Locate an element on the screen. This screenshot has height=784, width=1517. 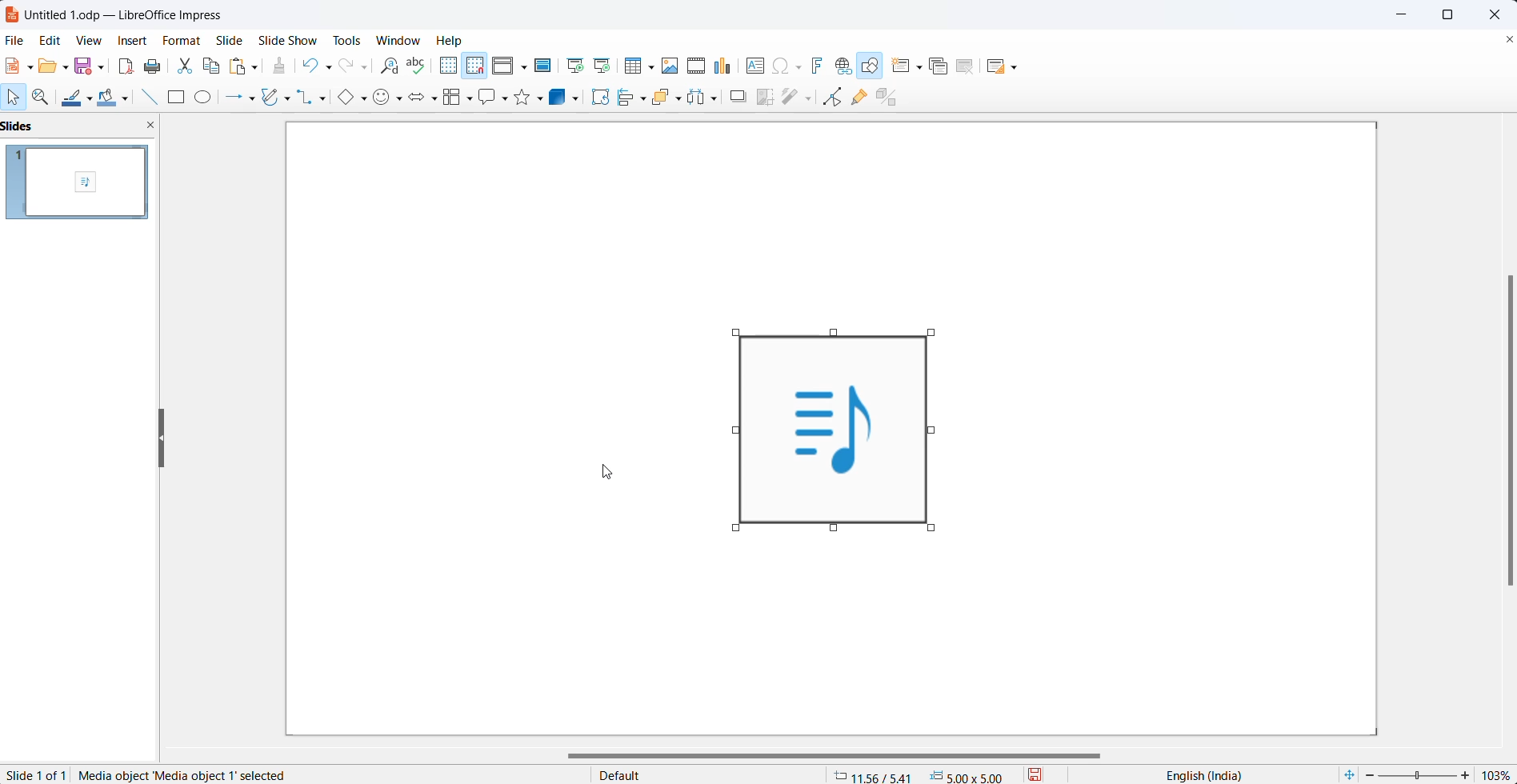
media object information is located at coordinates (186, 774).